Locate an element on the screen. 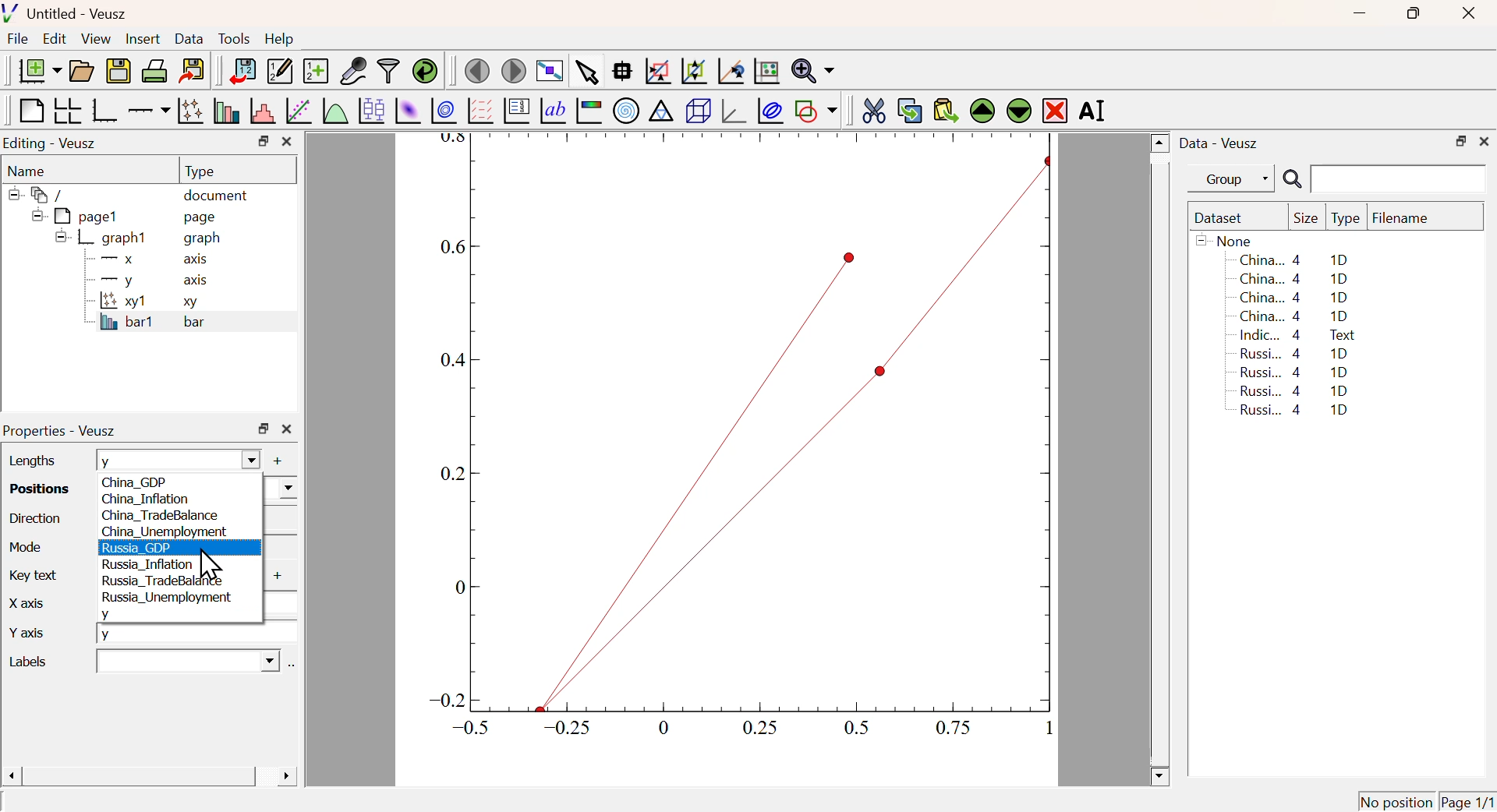  Filename is located at coordinates (1408, 219).